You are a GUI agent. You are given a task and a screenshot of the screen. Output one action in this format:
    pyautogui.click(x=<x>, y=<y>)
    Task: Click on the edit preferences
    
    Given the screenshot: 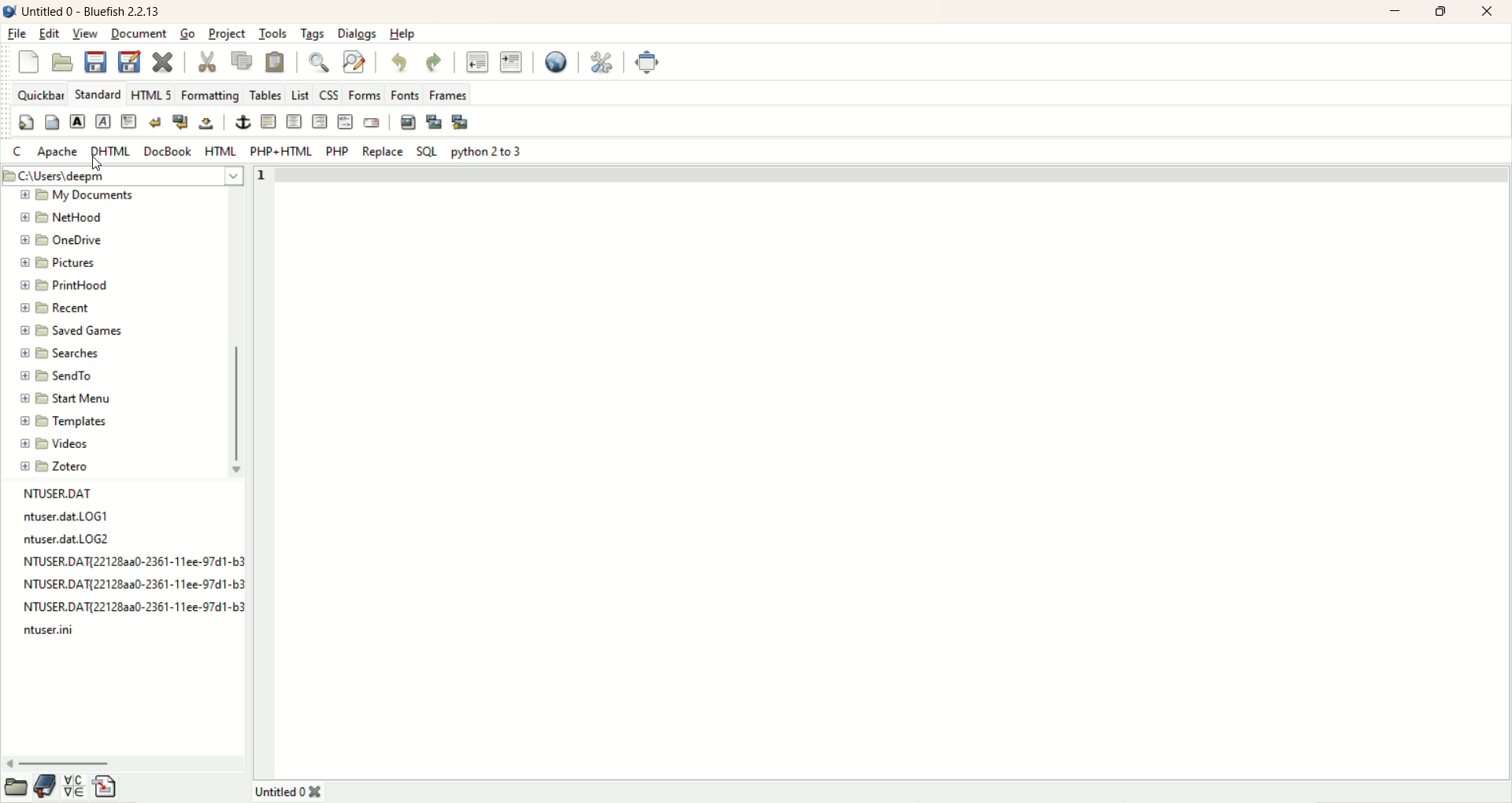 What is the action you would take?
    pyautogui.click(x=602, y=61)
    